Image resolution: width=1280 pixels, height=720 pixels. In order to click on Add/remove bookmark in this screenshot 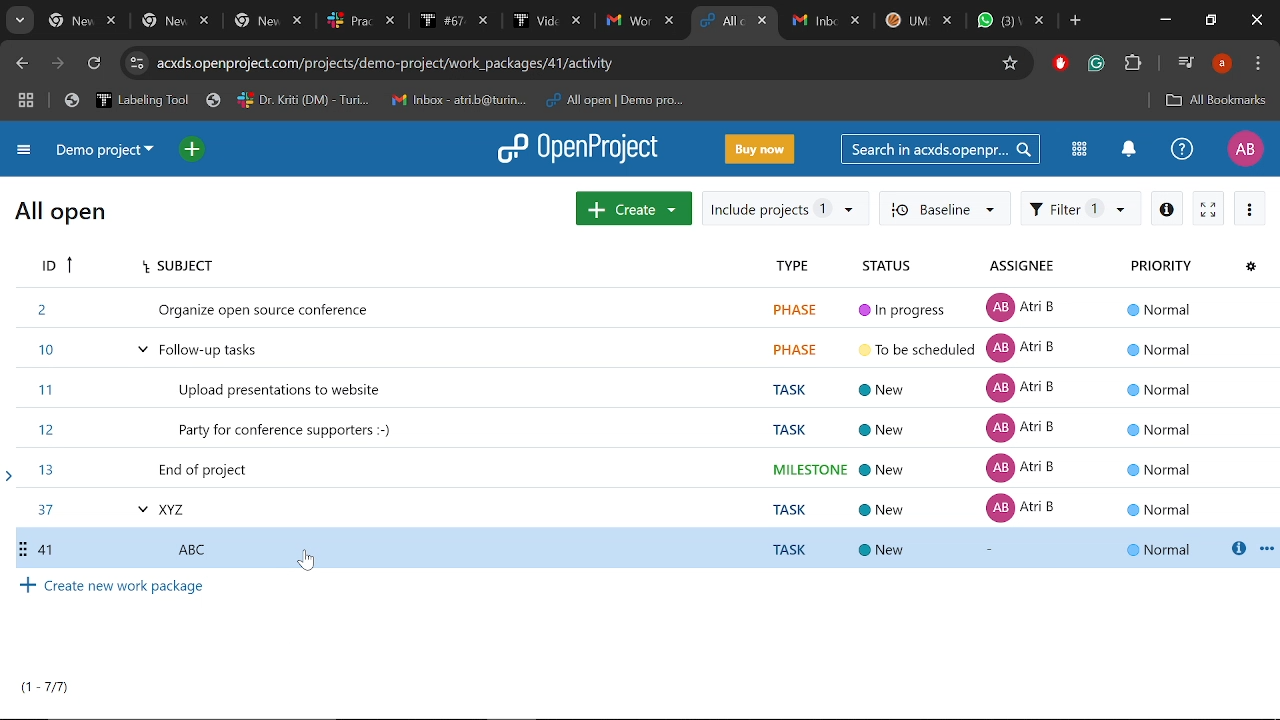, I will do `click(1012, 61)`.